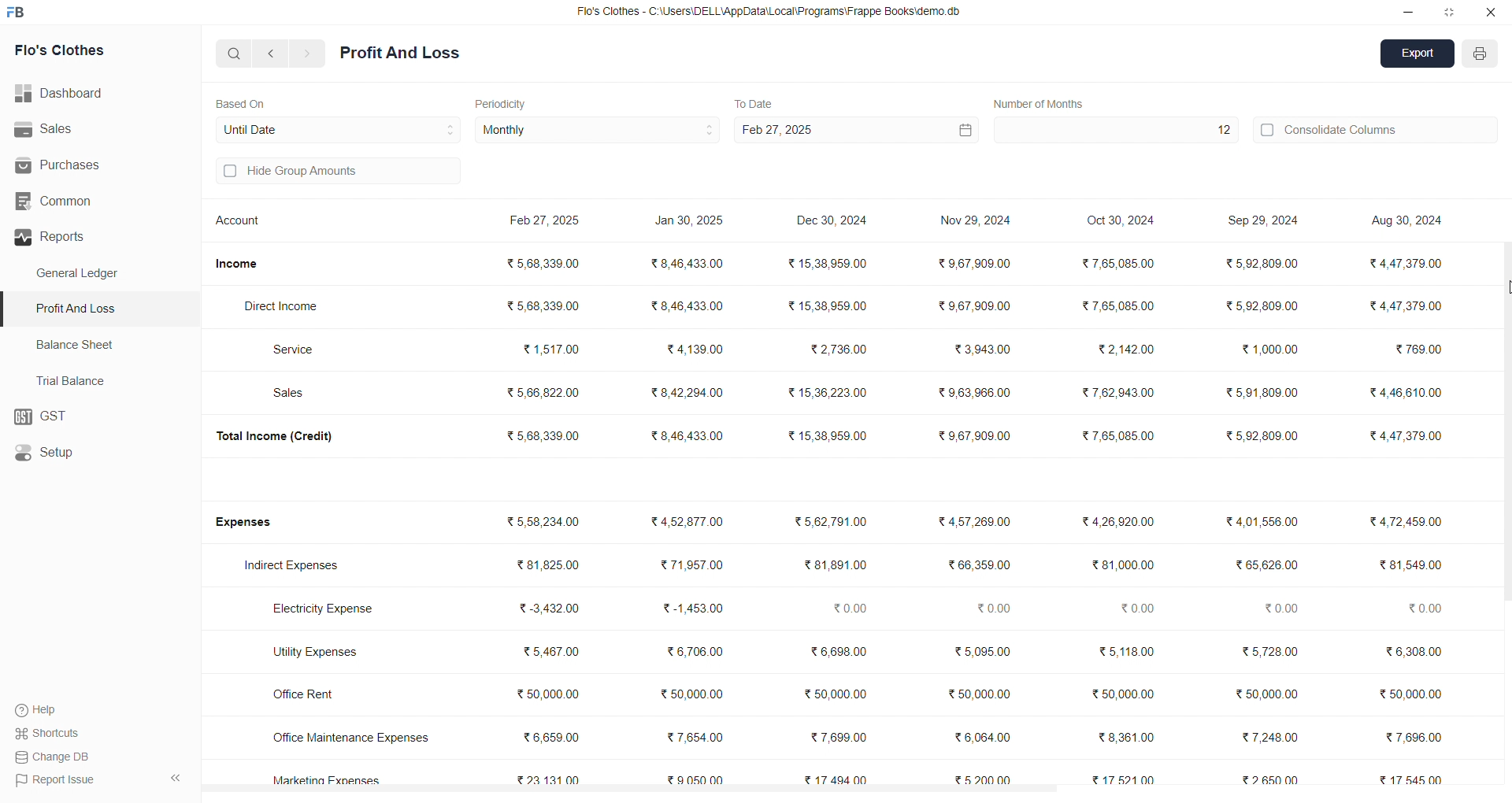  I want to click on ₹8,46,433.00, so click(691, 307).